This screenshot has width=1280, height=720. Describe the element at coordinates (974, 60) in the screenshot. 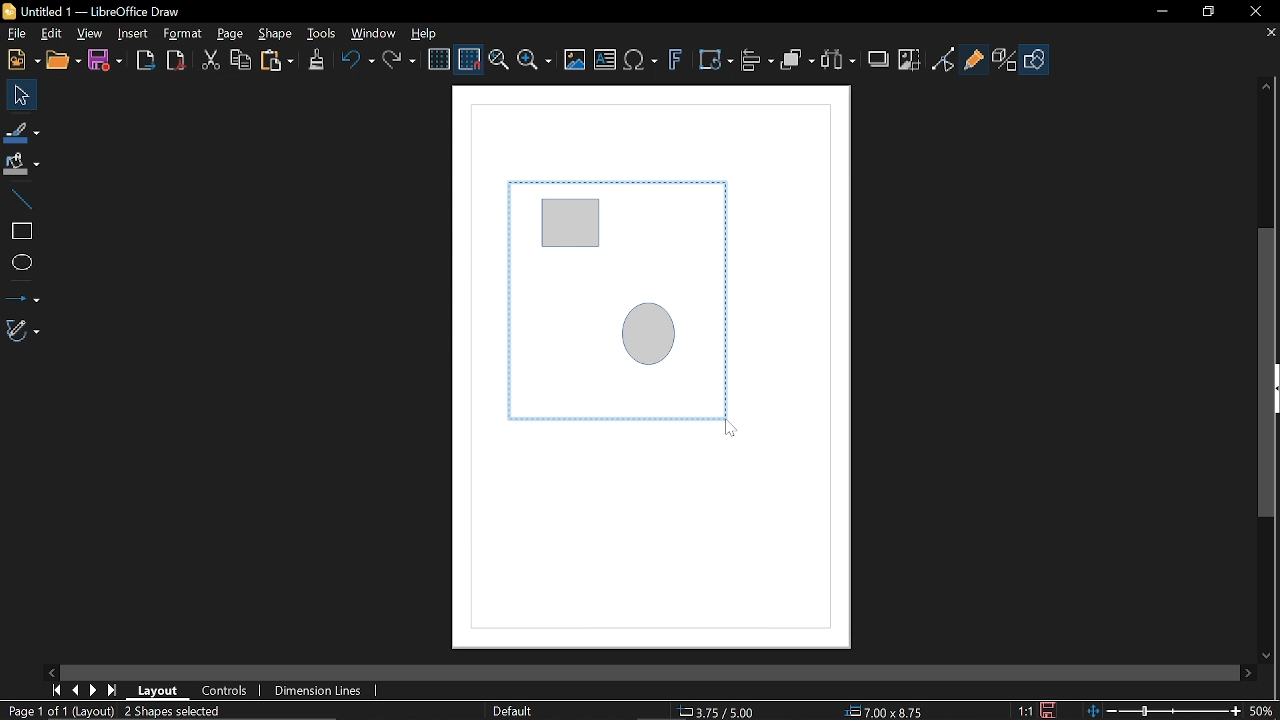

I see `Glue` at that location.